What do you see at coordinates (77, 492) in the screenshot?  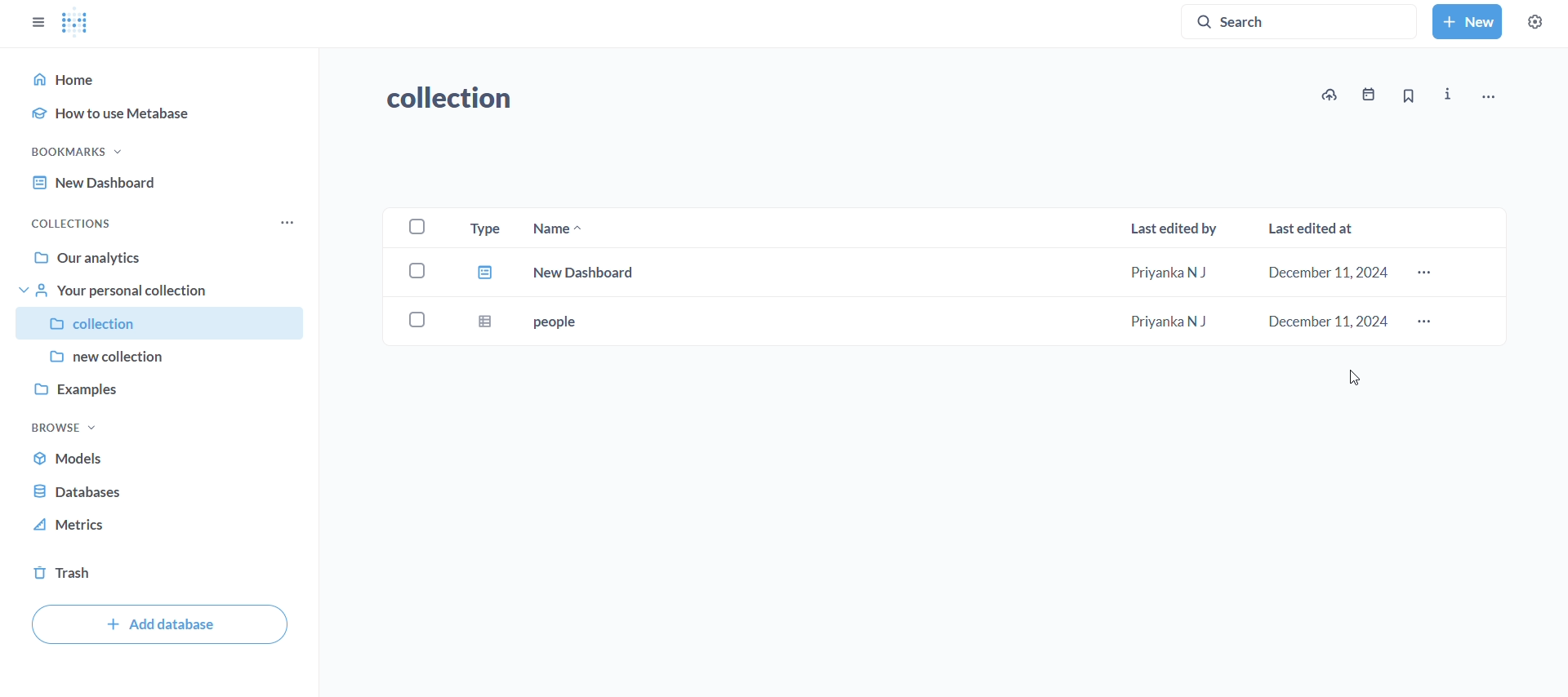 I see `database` at bounding box center [77, 492].